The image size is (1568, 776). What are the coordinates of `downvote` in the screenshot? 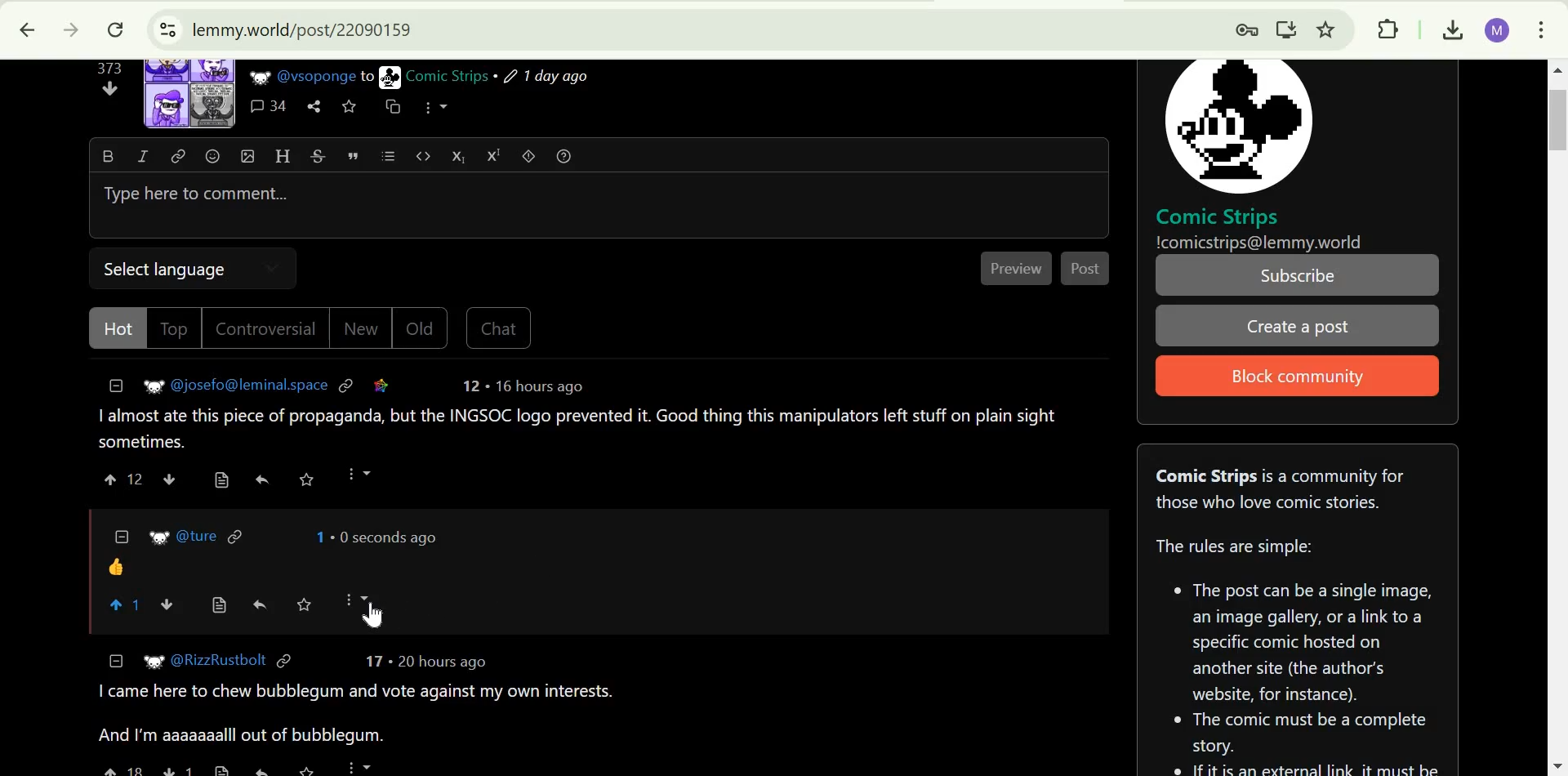 It's located at (168, 478).